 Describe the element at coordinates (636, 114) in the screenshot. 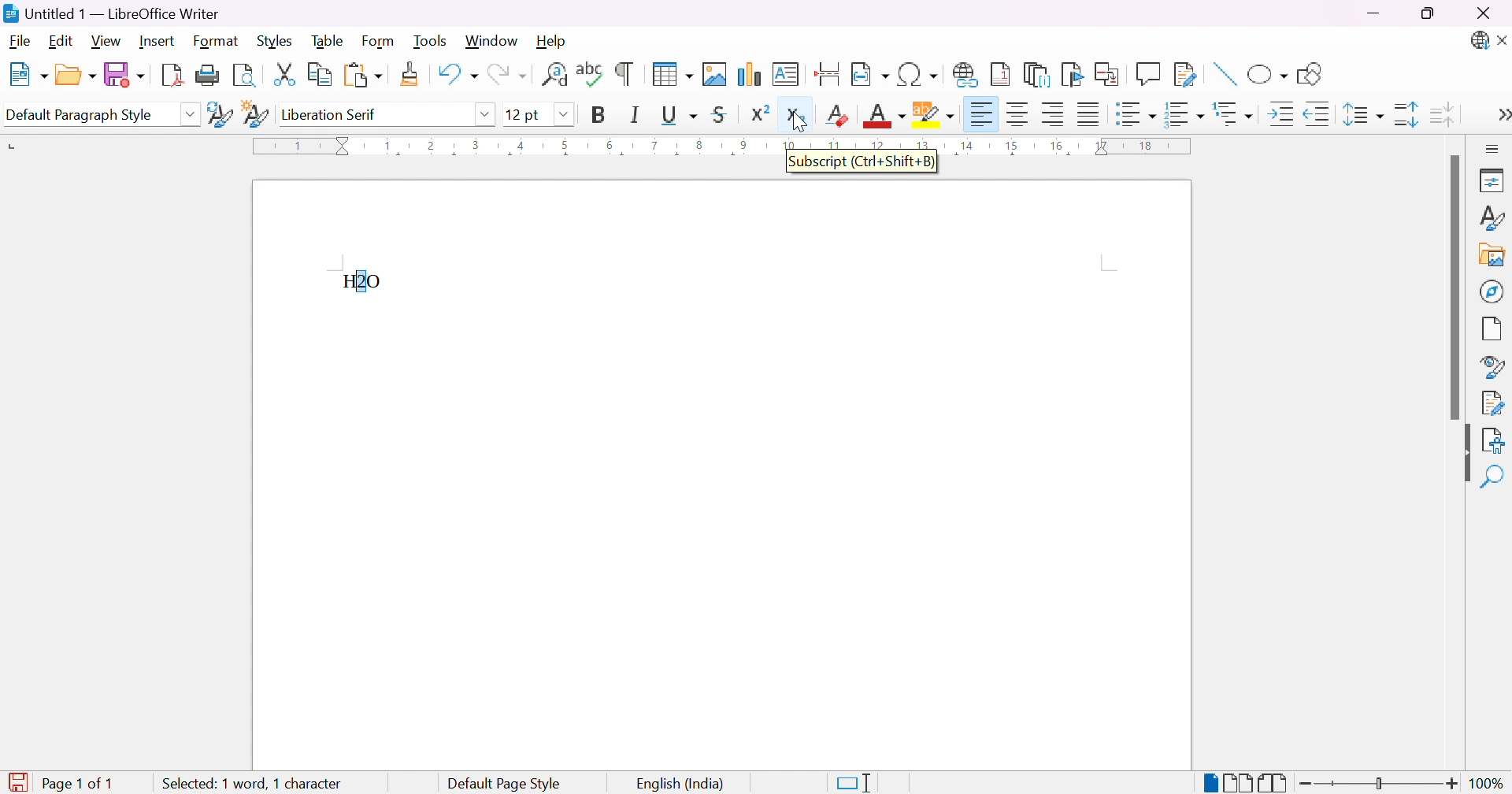

I see `Italic` at that location.